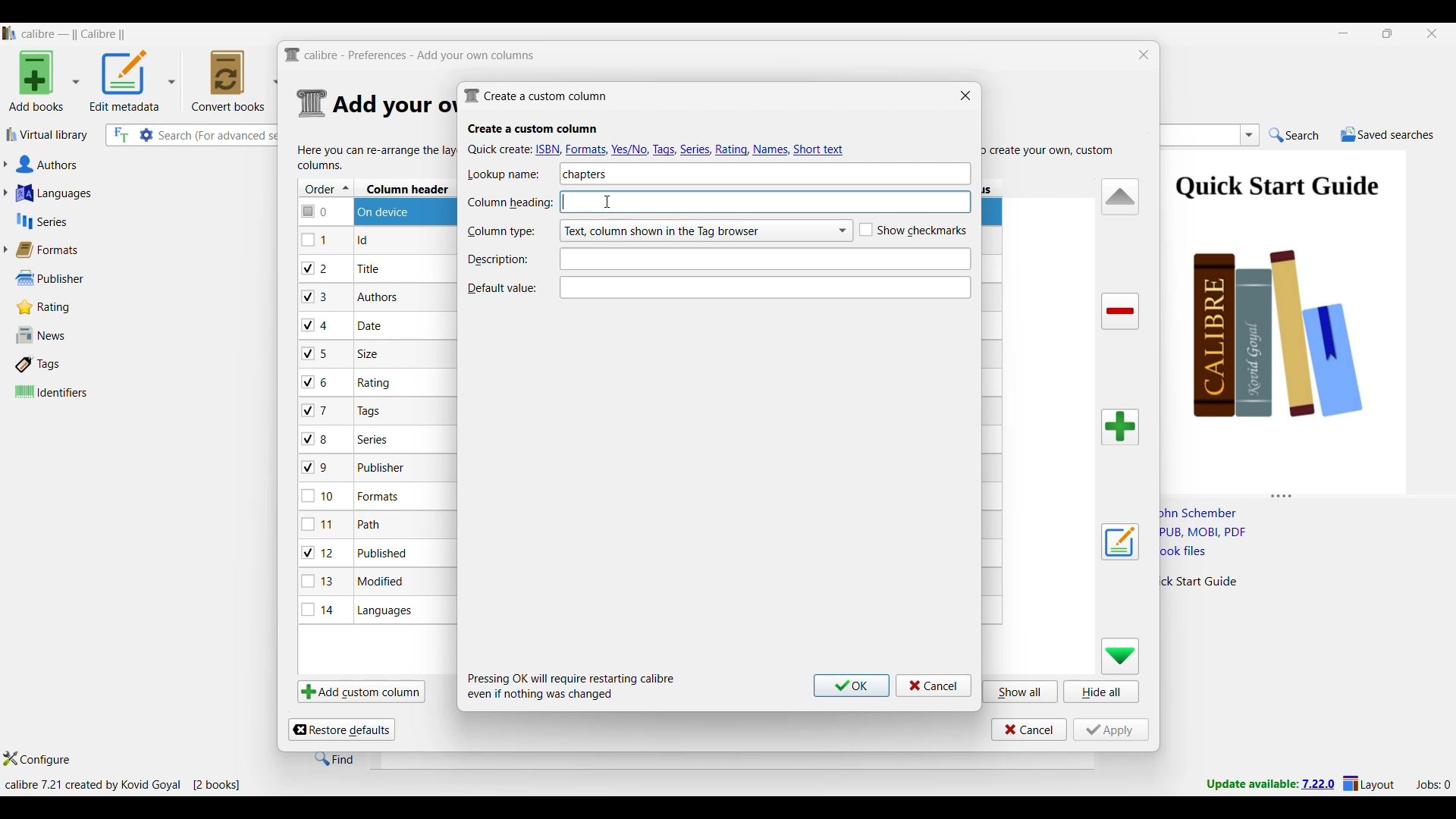 The height and width of the screenshot is (819, 1456). Describe the element at coordinates (316, 240) in the screenshot. I see `checkbox - 1` at that location.